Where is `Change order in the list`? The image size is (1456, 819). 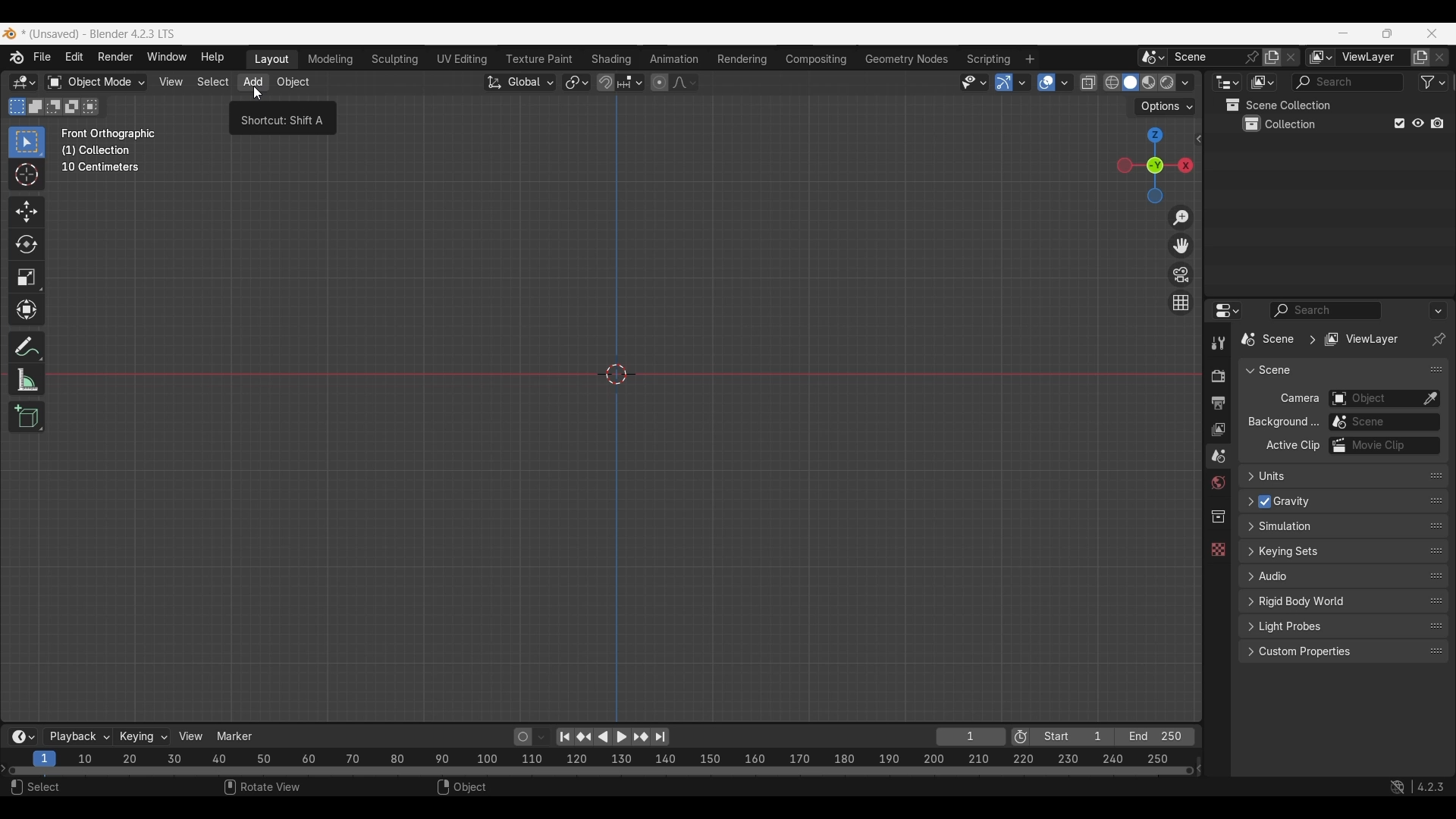
Change order in the list is located at coordinates (1436, 500).